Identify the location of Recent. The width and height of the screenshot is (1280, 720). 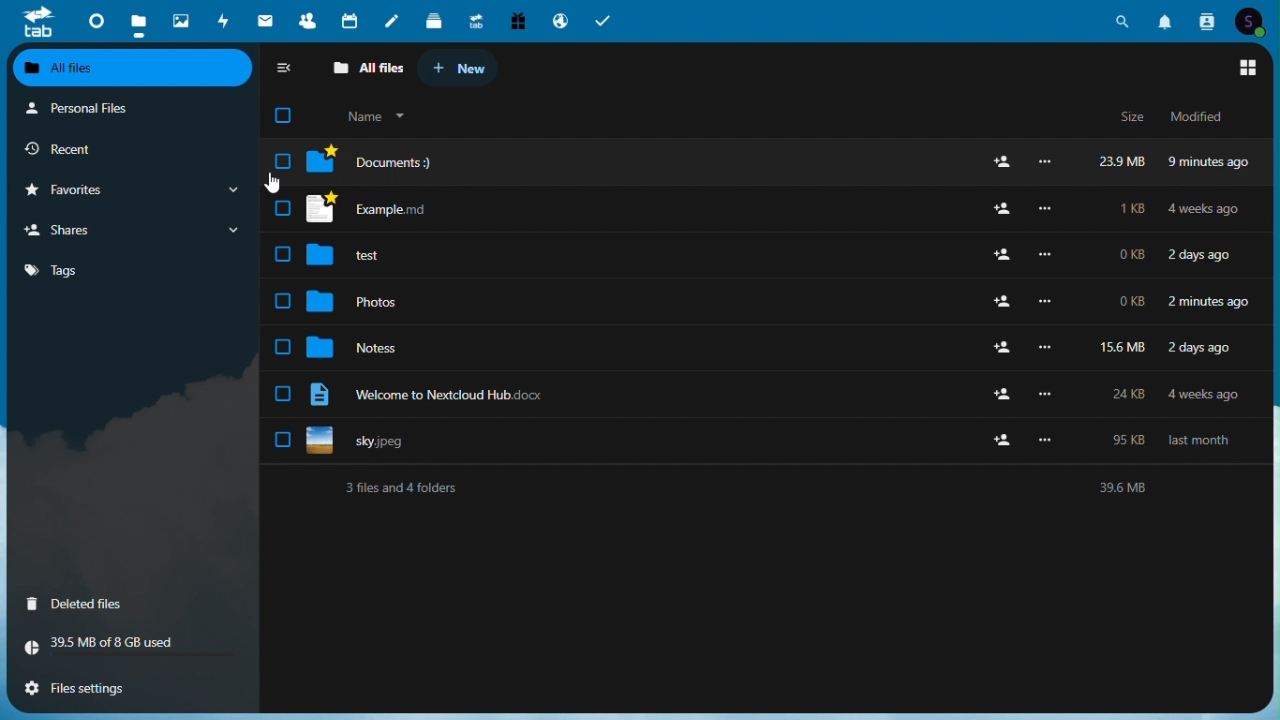
(106, 147).